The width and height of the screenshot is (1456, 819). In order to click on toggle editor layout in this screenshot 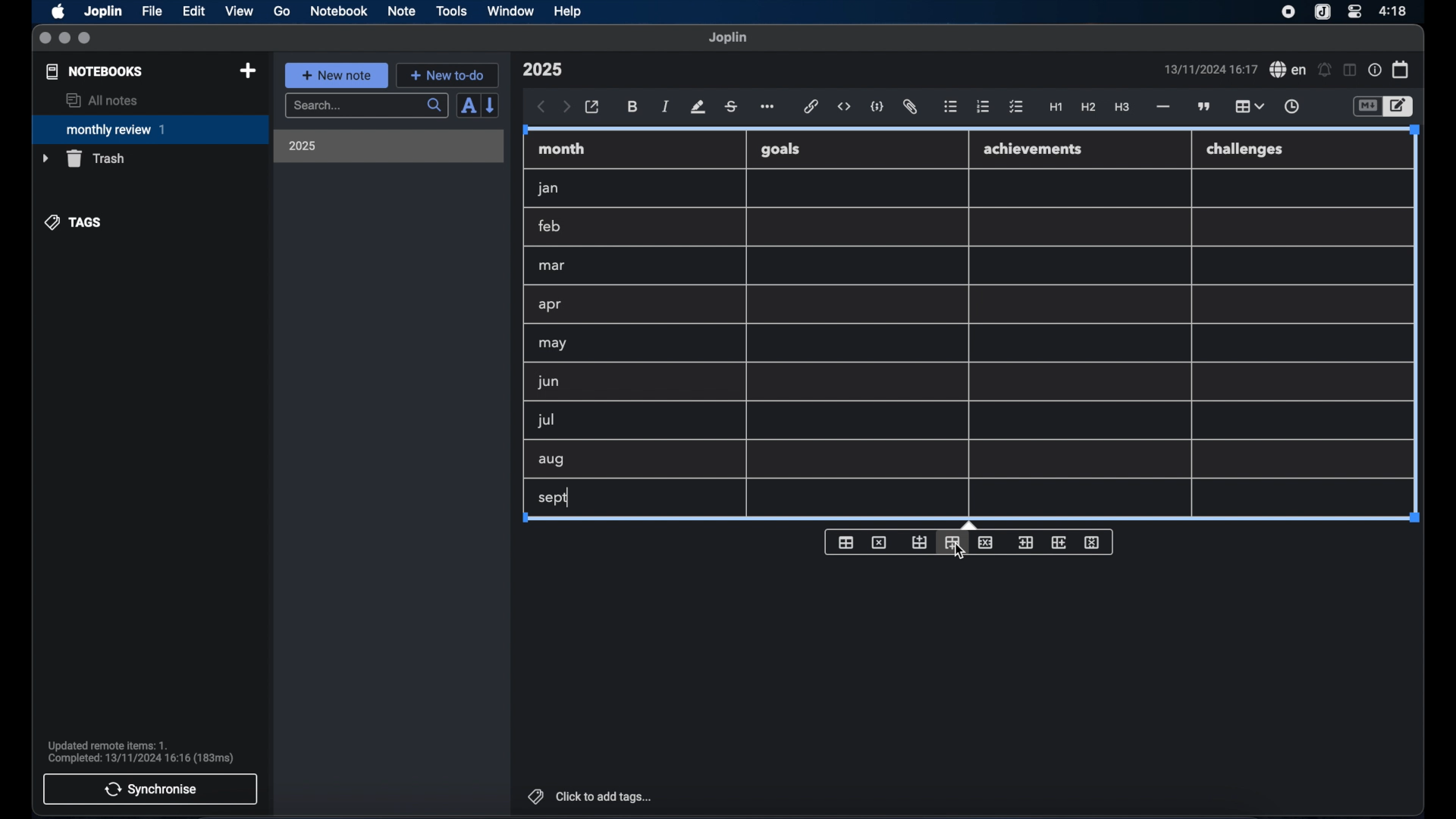, I will do `click(1351, 70)`.